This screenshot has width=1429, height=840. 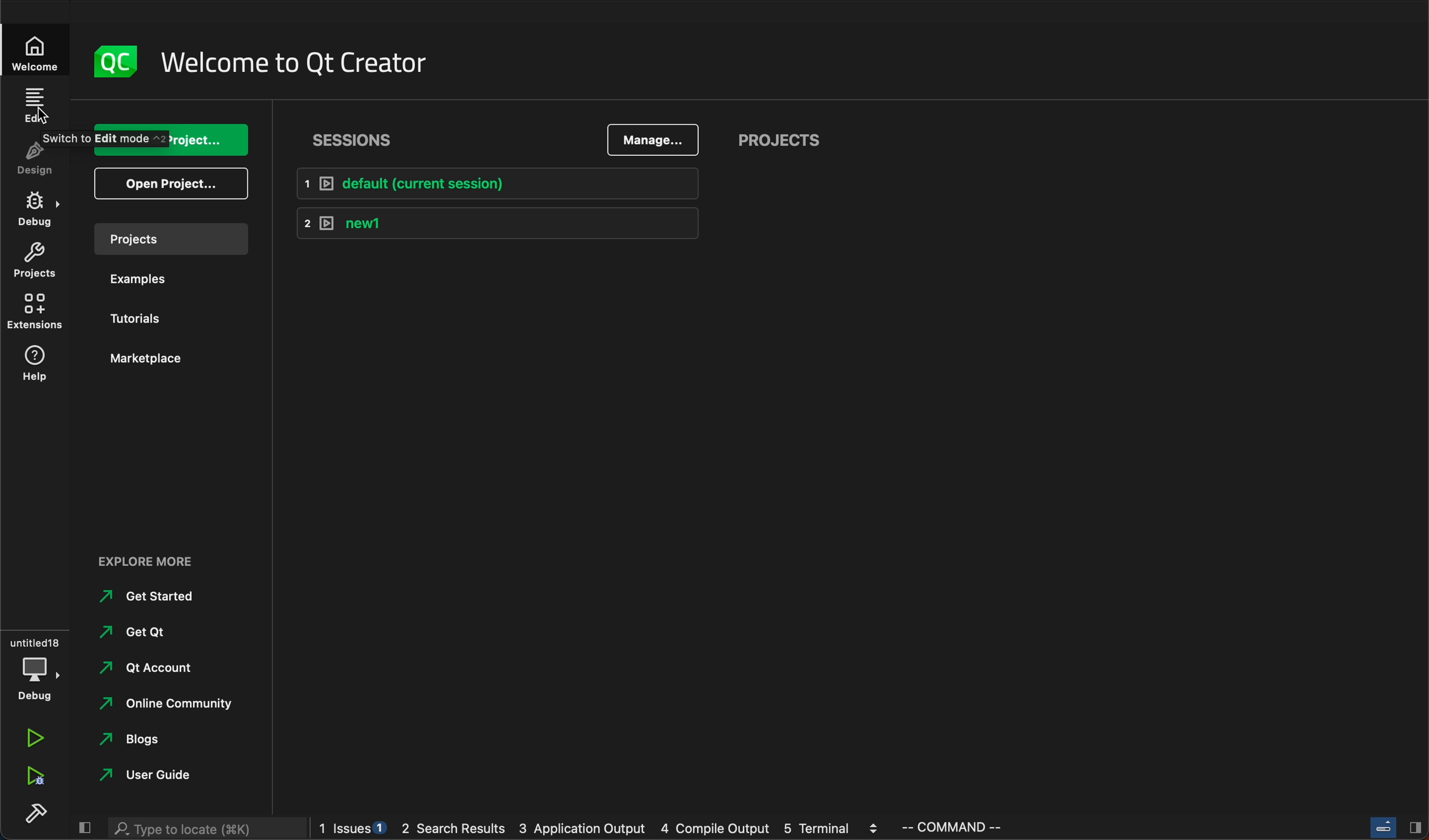 What do you see at coordinates (777, 135) in the screenshot?
I see `projects` at bounding box center [777, 135].